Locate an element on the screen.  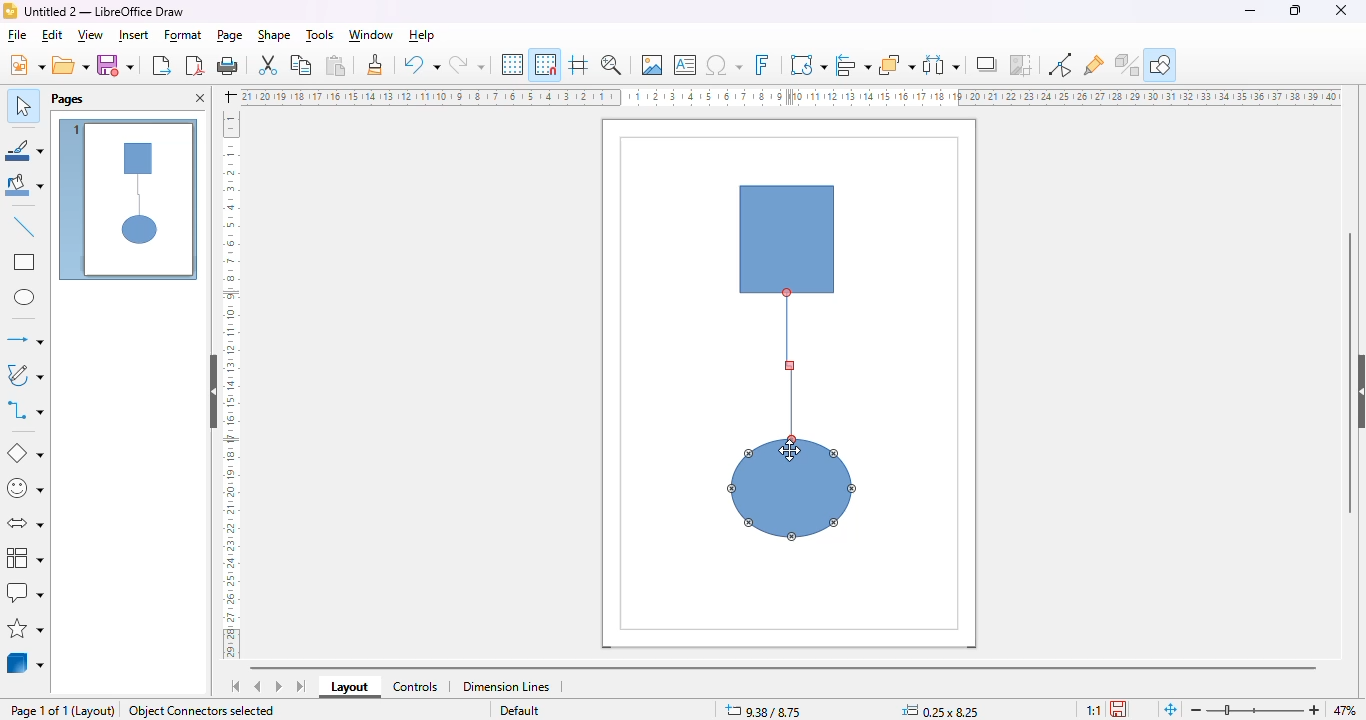
vertical scroll bar is located at coordinates (1350, 373).